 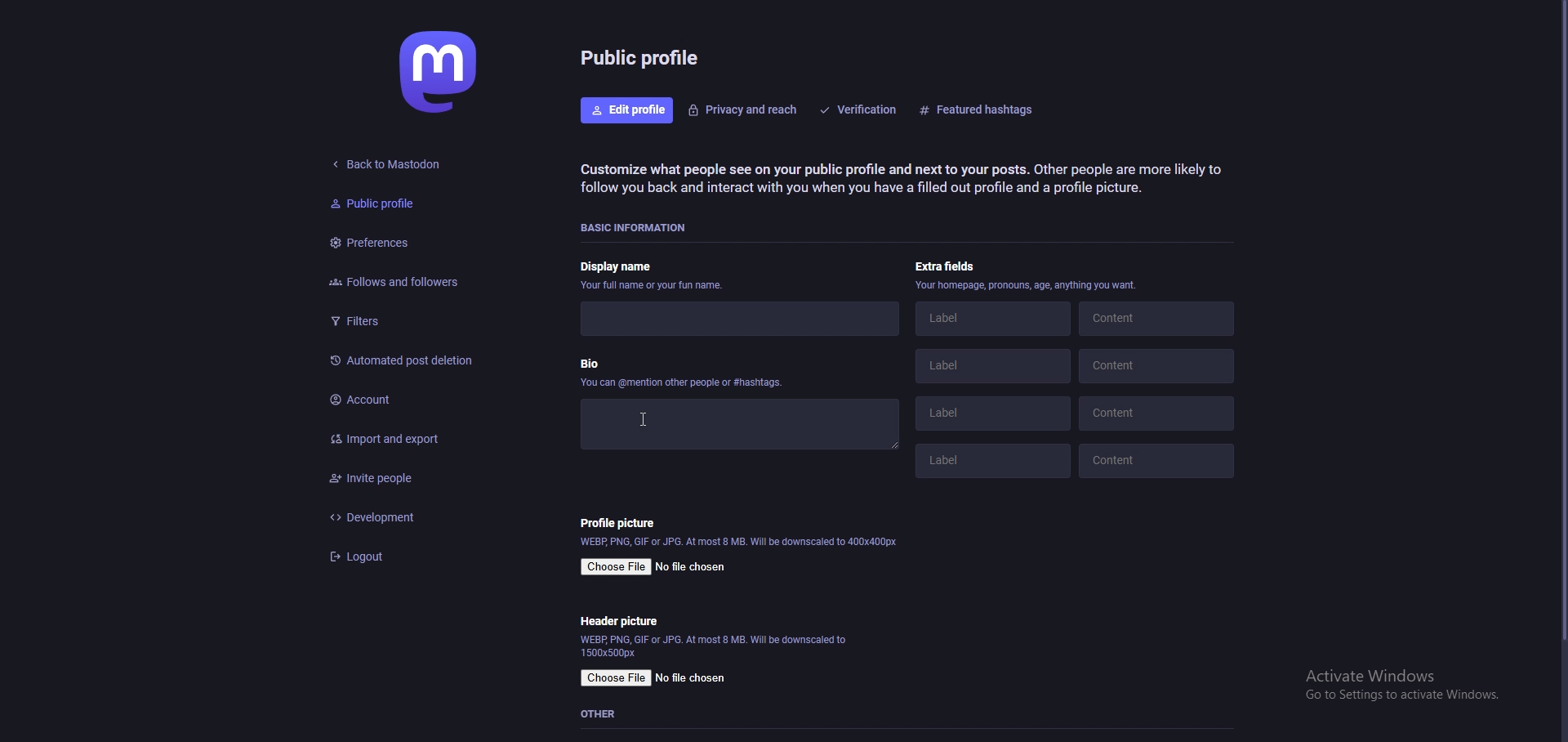 What do you see at coordinates (947, 265) in the screenshot?
I see `extra fields` at bounding box center [947, 265].